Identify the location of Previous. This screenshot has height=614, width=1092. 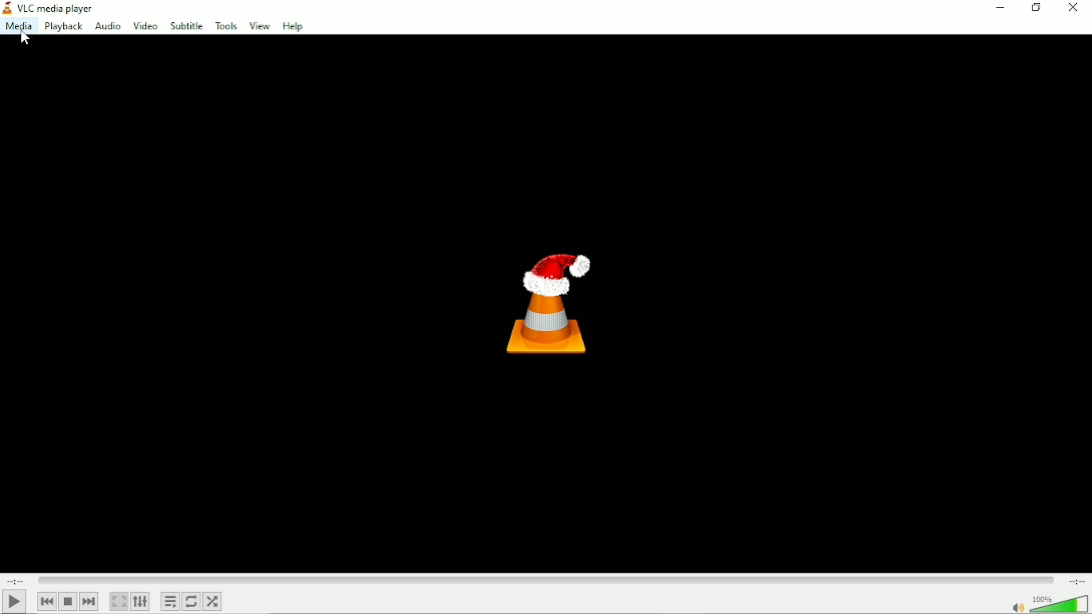
(46, 602).